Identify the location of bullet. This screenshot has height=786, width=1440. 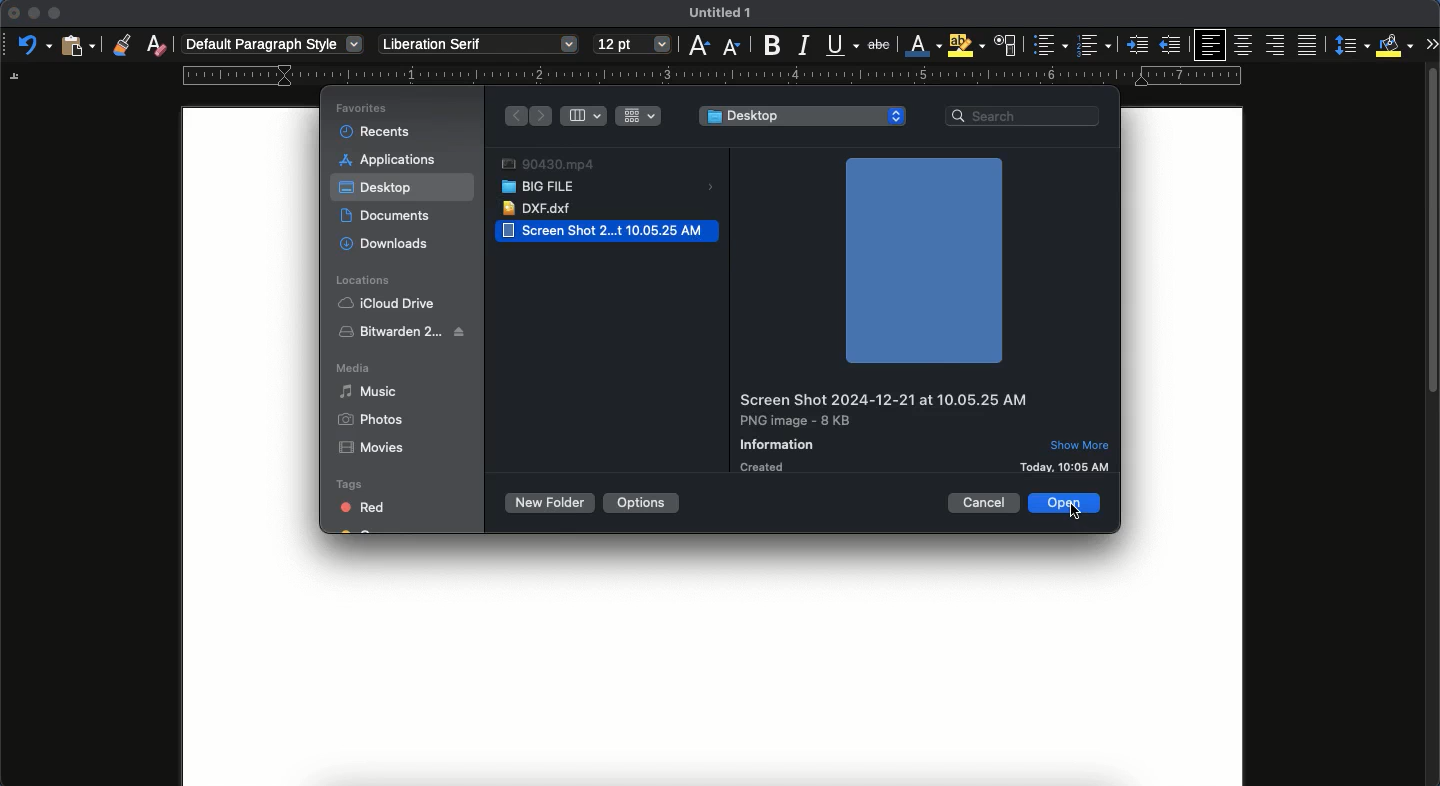
(1049, 45).